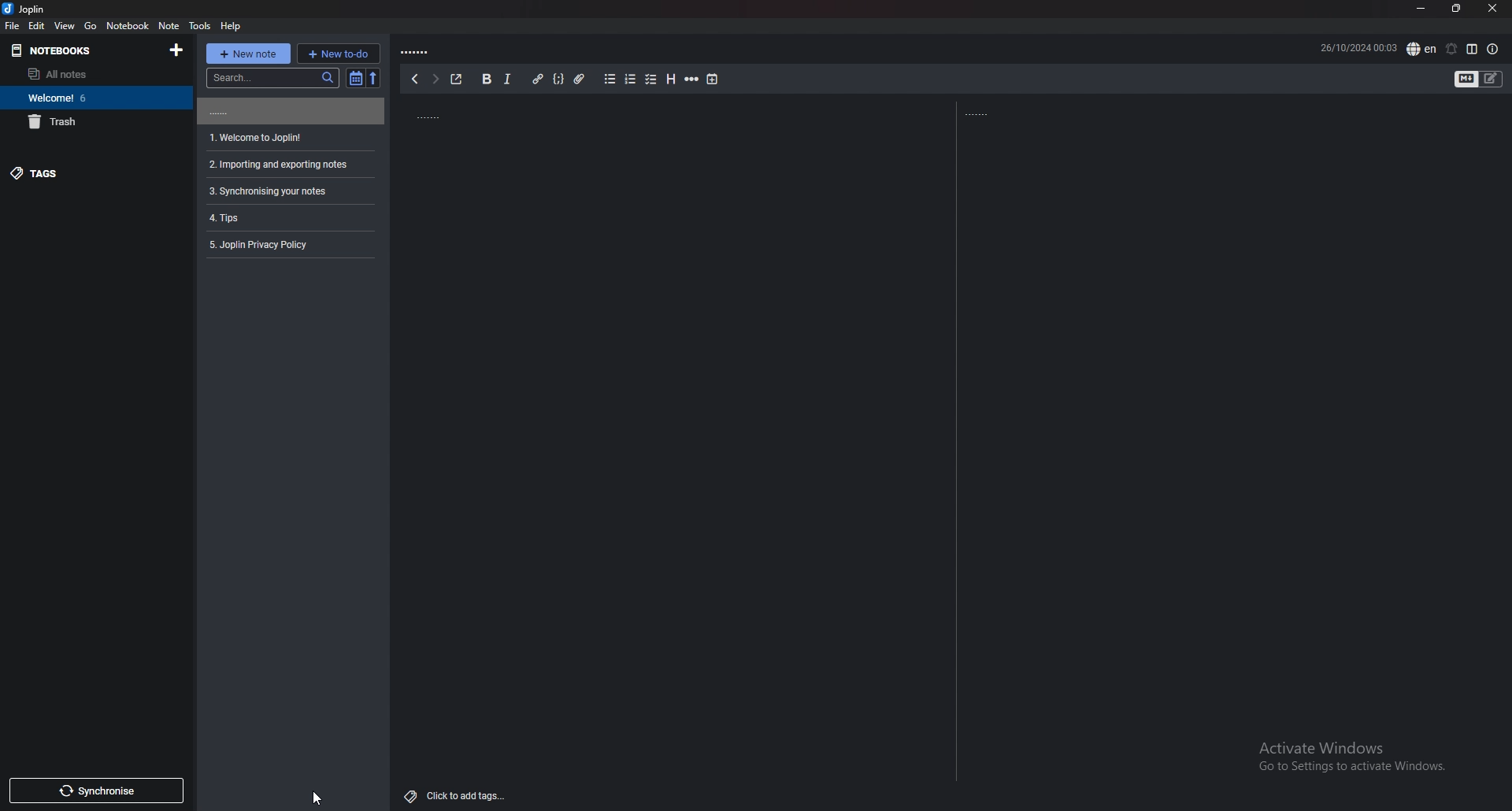 The image size is (1512, 811). What do you see at coordinates (356, 77) in the screenshot?
I see `toggle sort order field` at bounding box center [356, 77].